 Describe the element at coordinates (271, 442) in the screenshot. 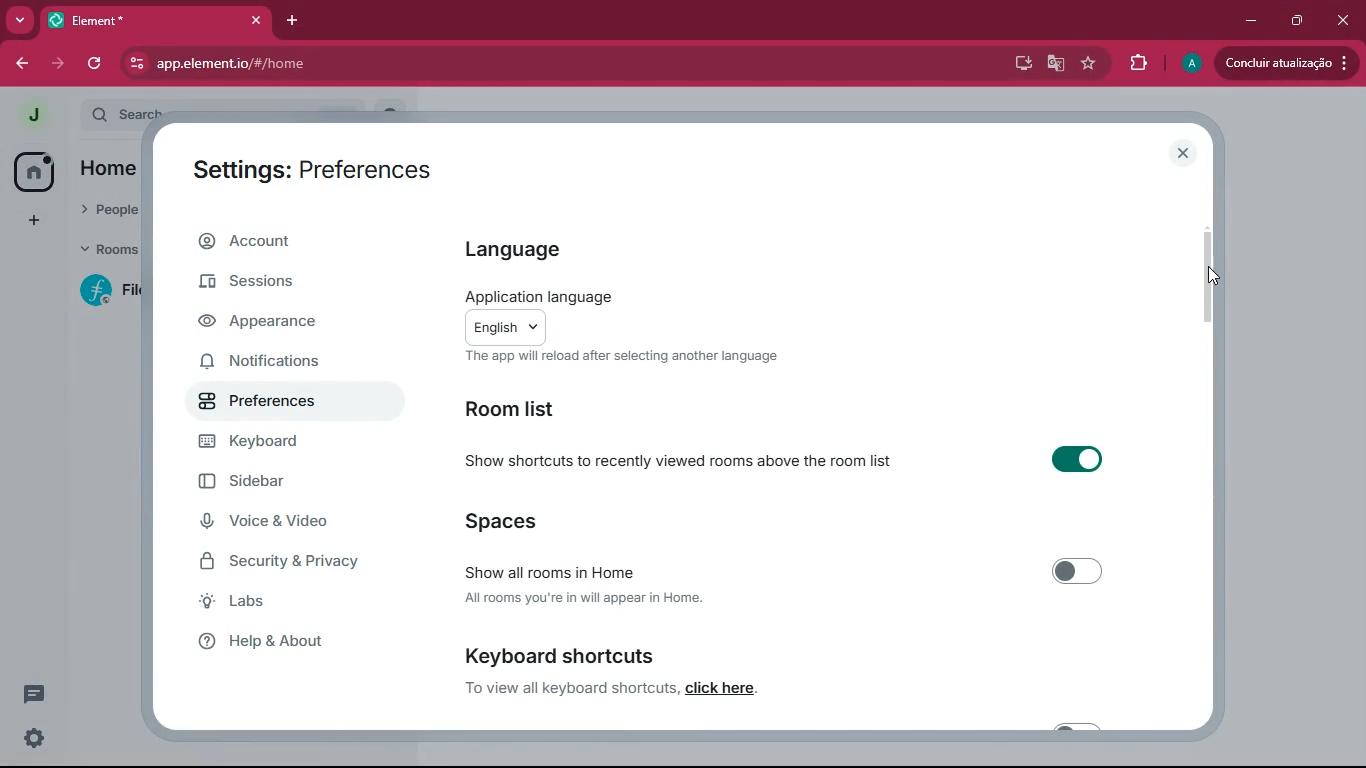

I see `keyboard` at that location.